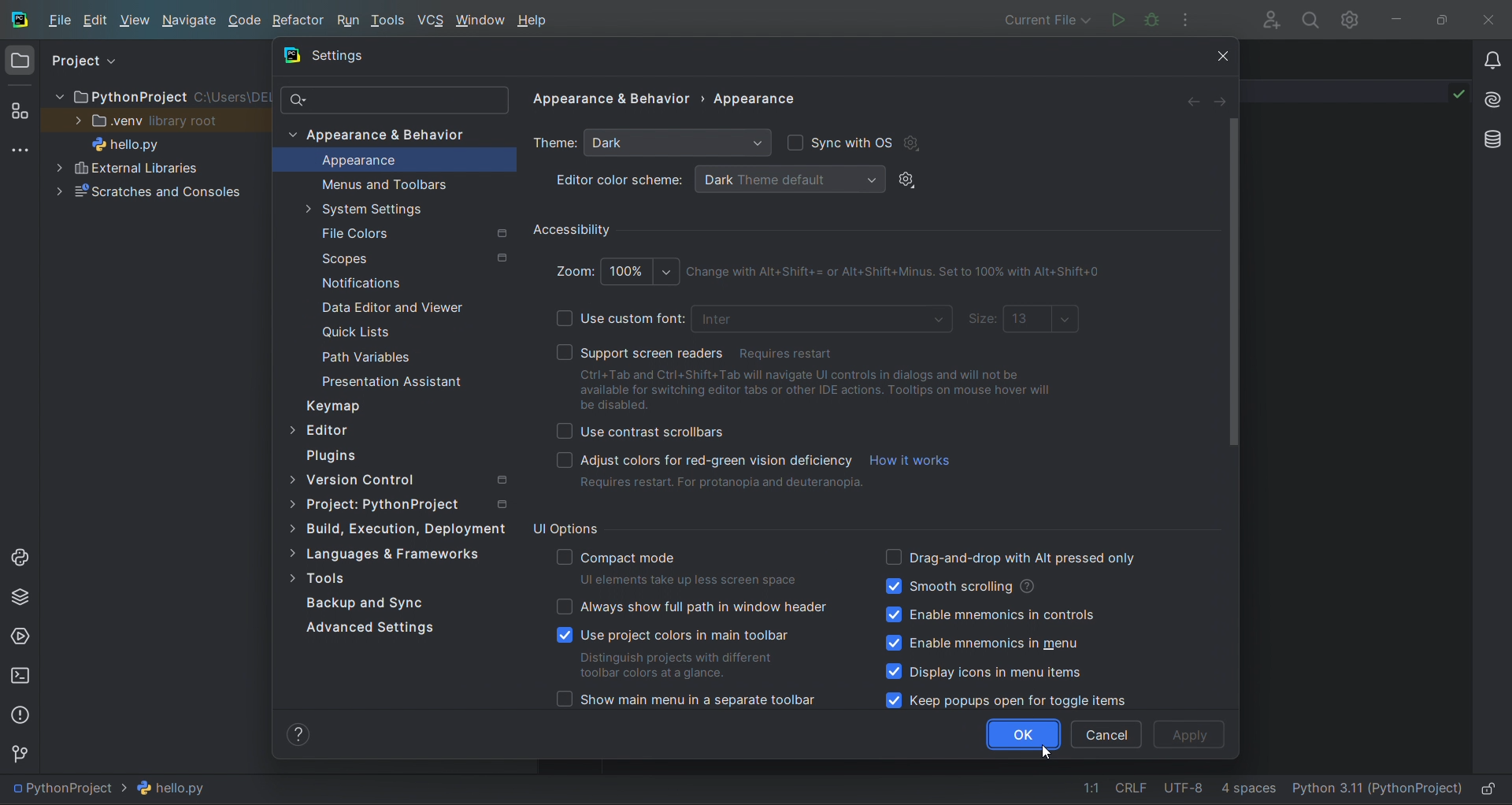 The width and height of the screenshot is (1512, 805). What do you see at coordinates (20, 58) in the screenshot?
I see `project window` at bounding box center [20, 58].